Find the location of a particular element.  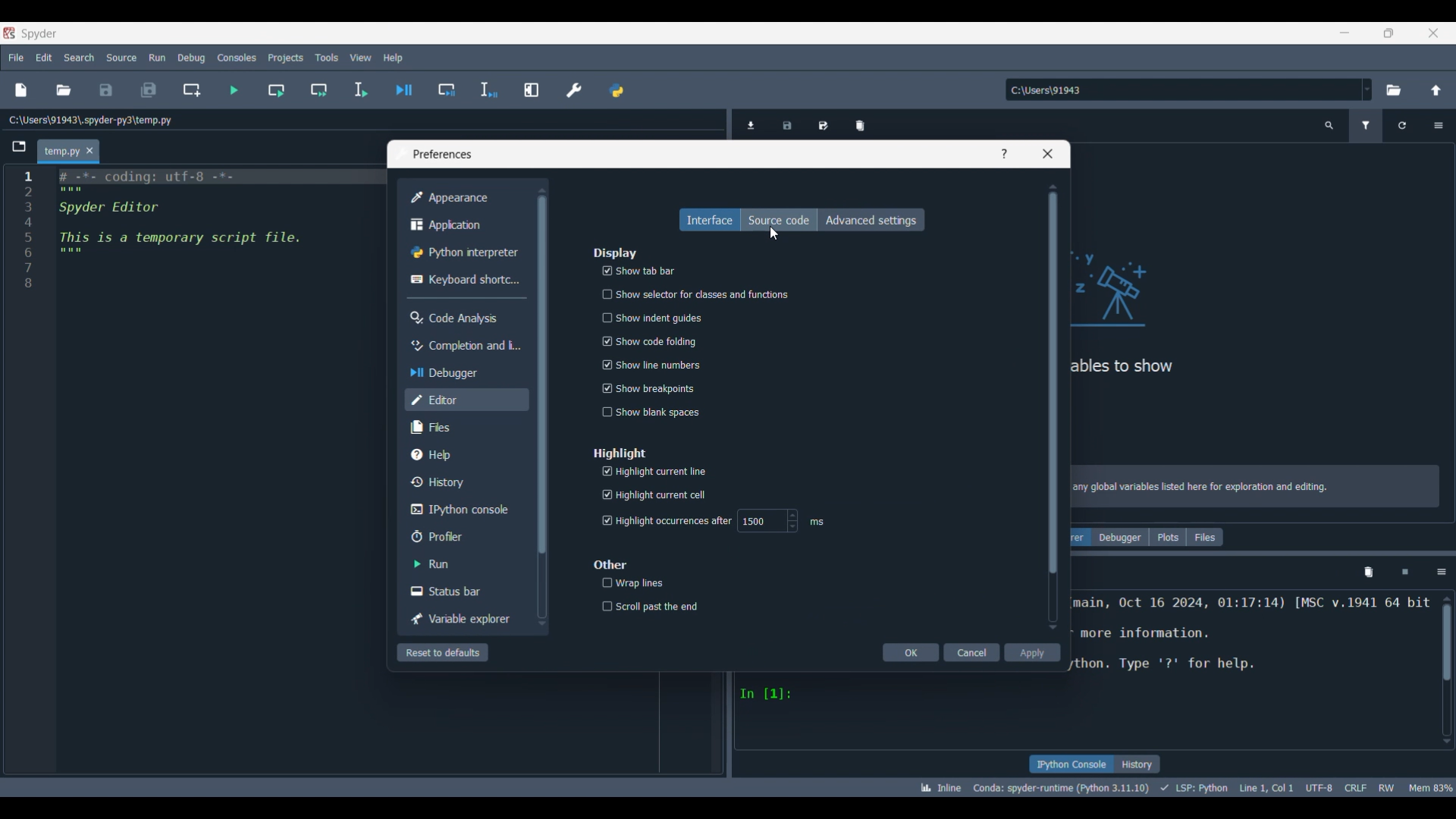

Enter number is located at coordinates (761, 521).